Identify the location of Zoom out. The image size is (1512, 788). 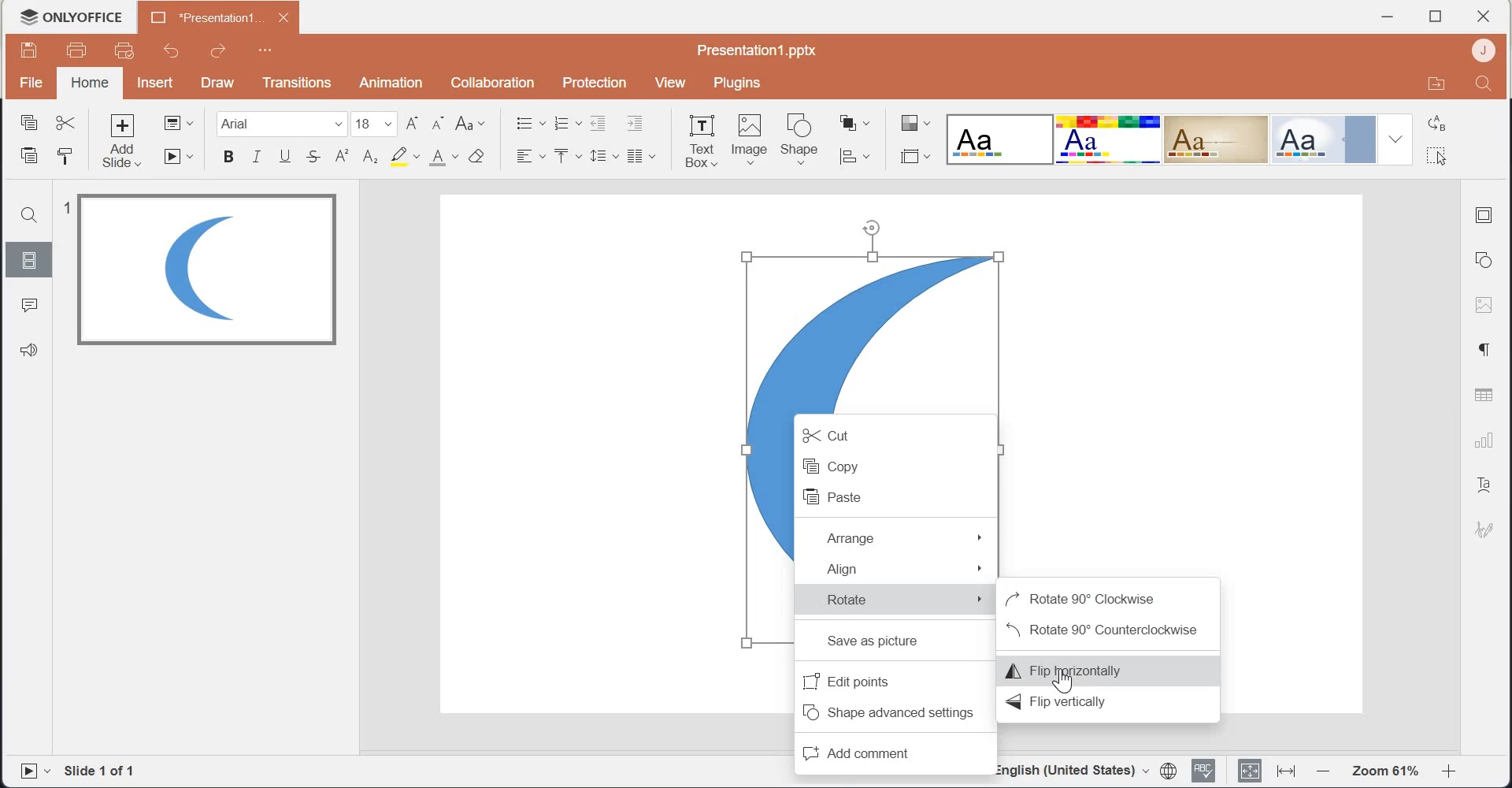
(1322, 772).